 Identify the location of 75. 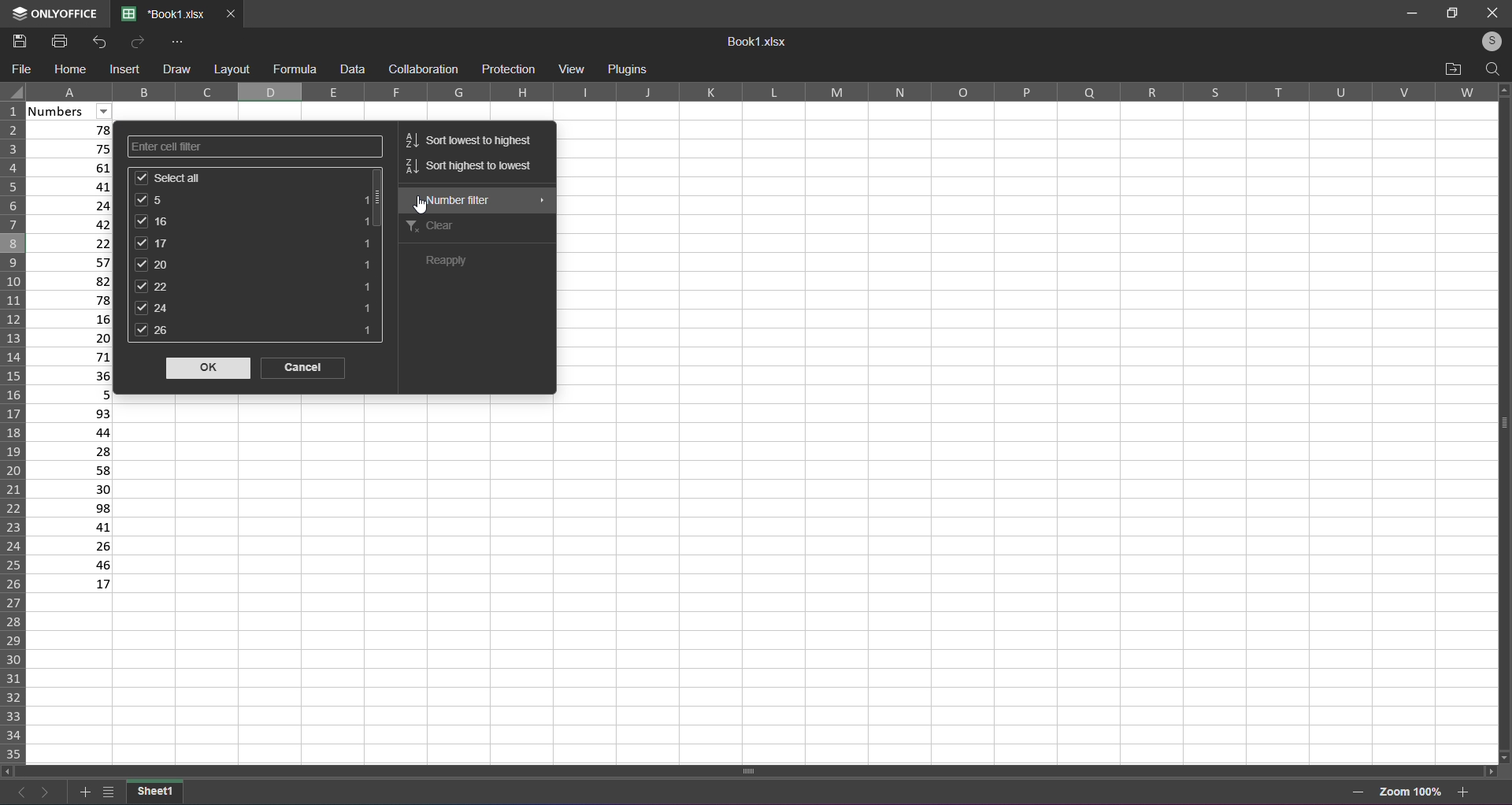
(72, 148).